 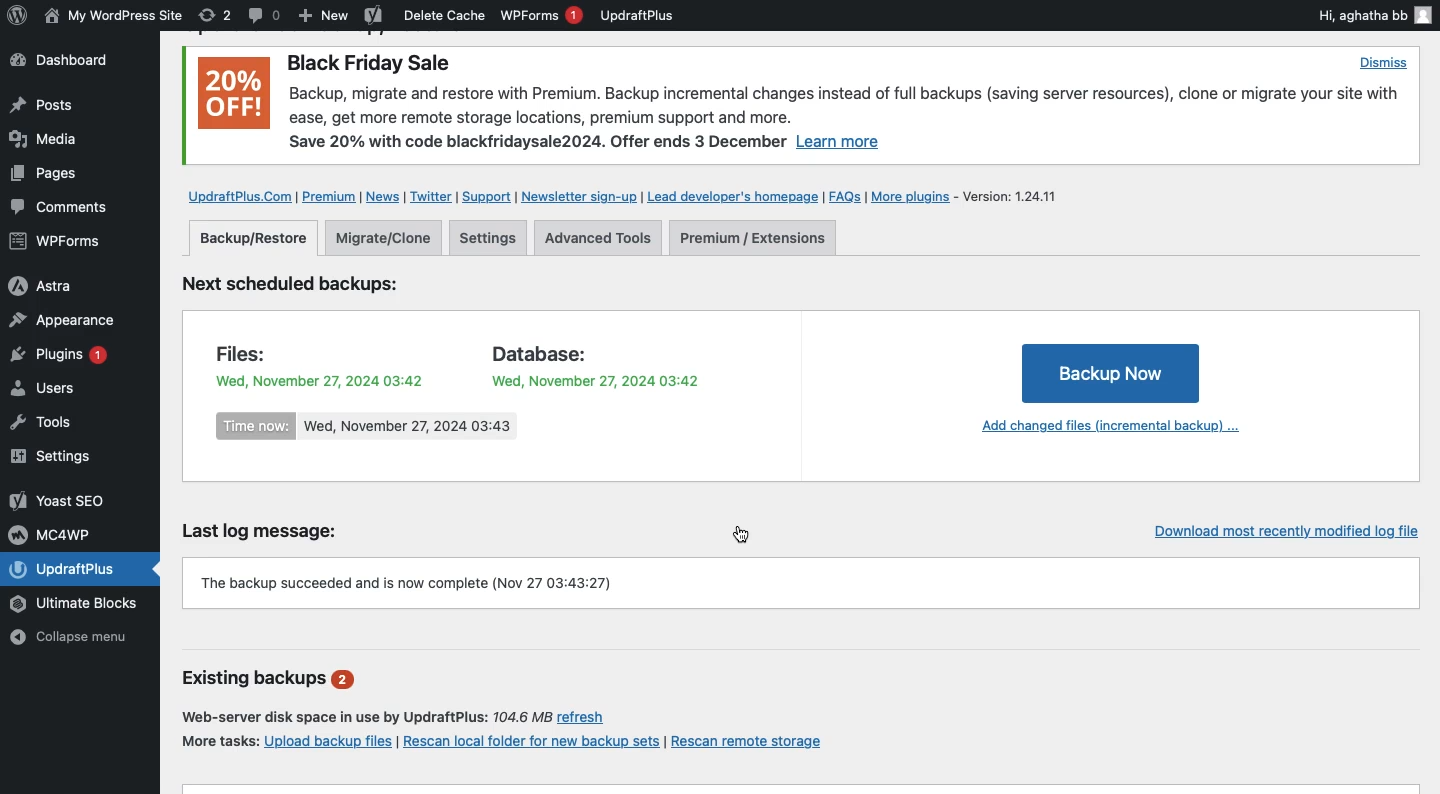 What do you see at coordinates (845, 198) in the screenshot?
I see `FAQs` at bounding box center [845, 198].